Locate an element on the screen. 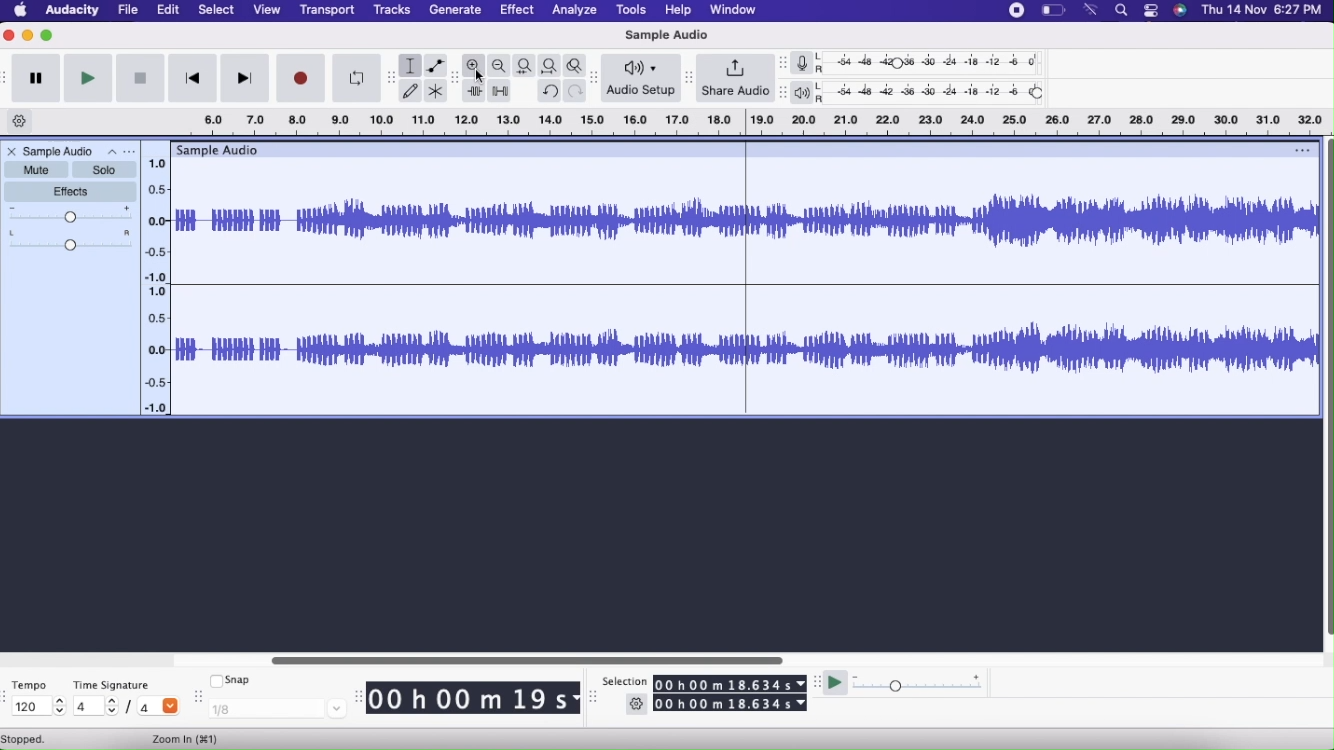 This screenshot has width=1334, height=750. Analyze is located at coordinates (574, 11).